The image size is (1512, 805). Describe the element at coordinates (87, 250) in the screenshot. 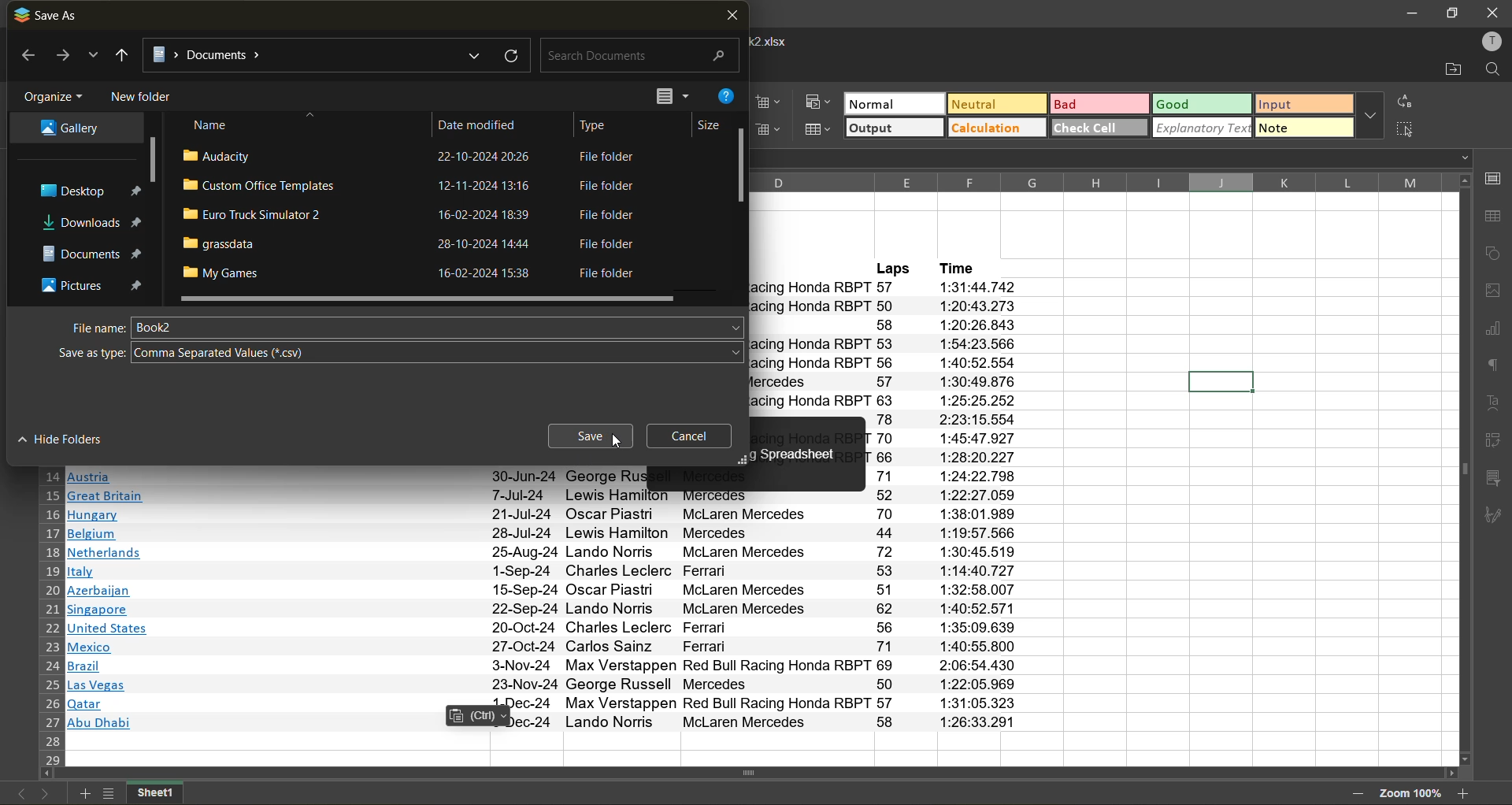

I see `folder` at that location.